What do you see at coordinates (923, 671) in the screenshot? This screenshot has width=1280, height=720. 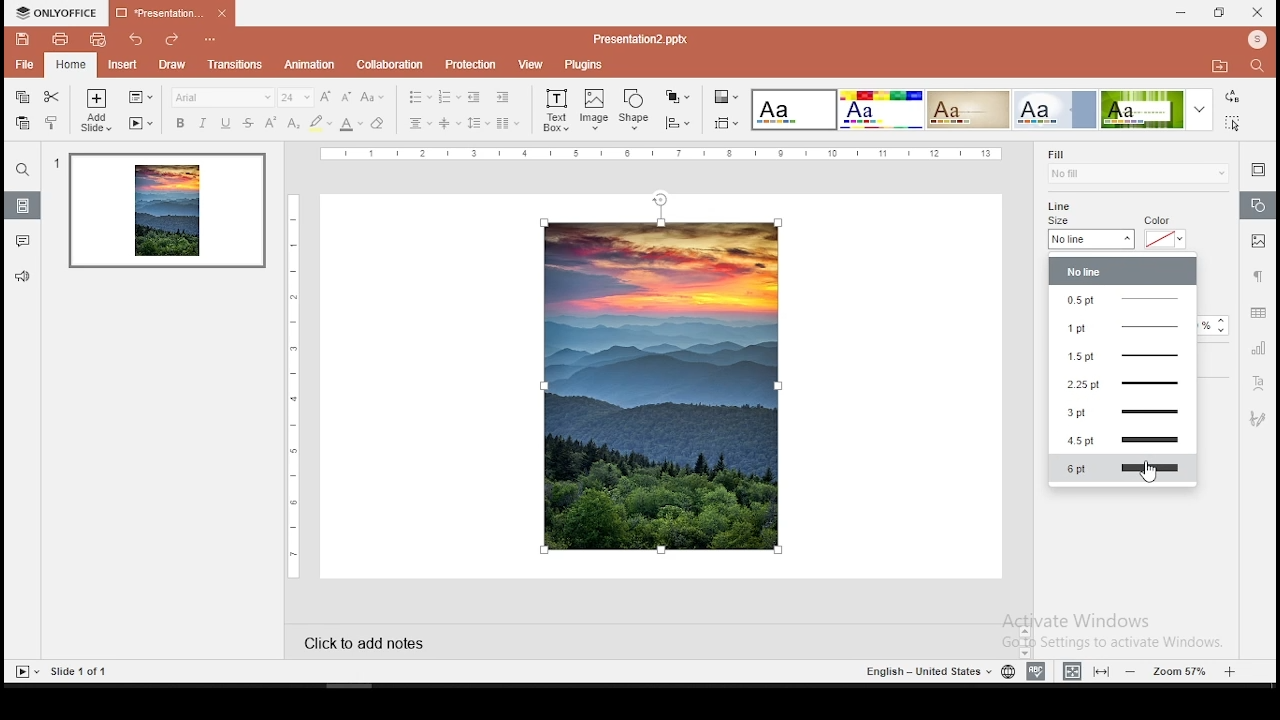 I see `english - united states` at bounding box center [923, 671].